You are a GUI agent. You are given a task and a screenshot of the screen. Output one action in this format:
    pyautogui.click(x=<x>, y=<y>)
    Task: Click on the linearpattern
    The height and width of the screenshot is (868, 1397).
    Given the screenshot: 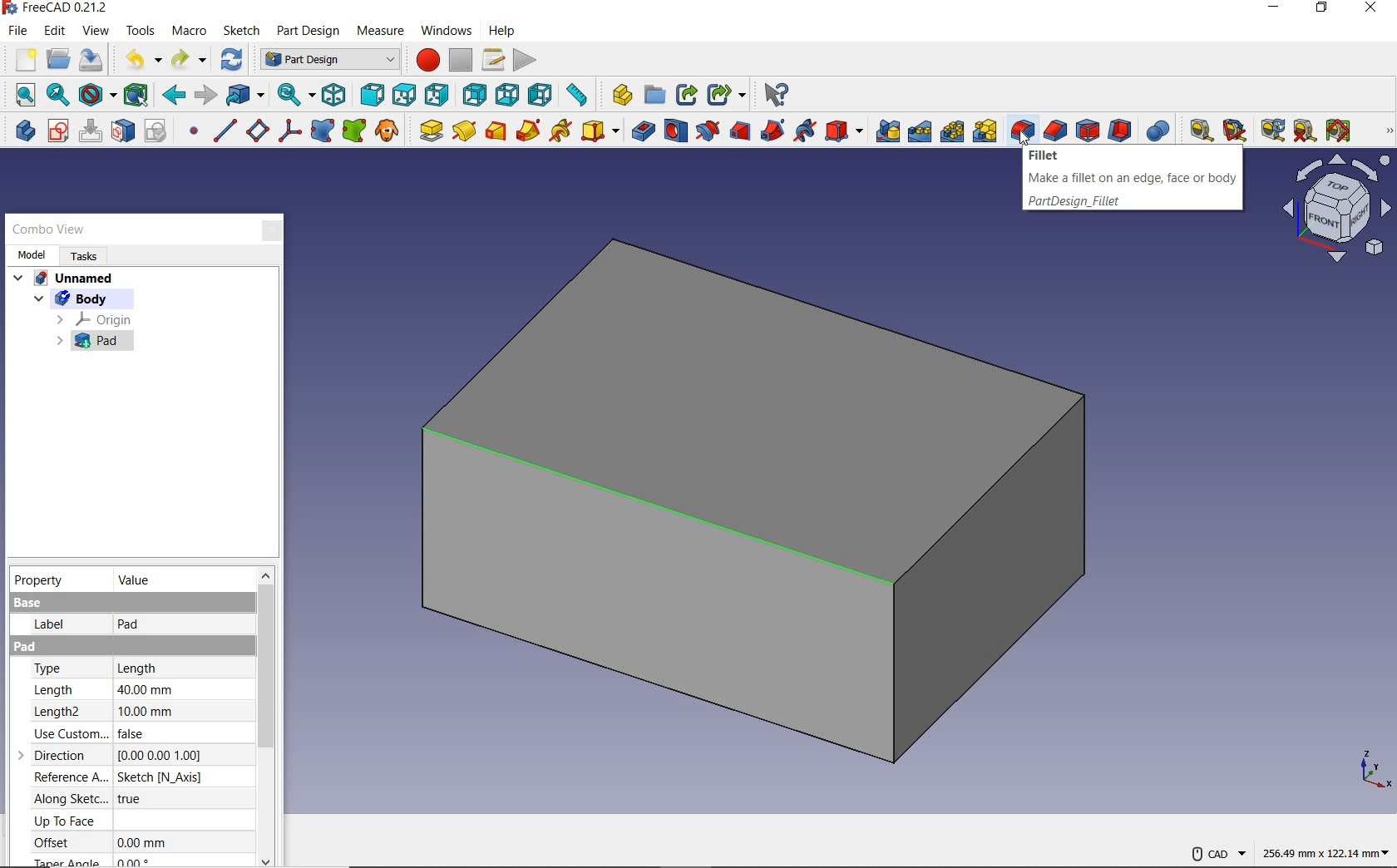 What is the action you would take?
    pyautogui.click(x=918, y=131)
    